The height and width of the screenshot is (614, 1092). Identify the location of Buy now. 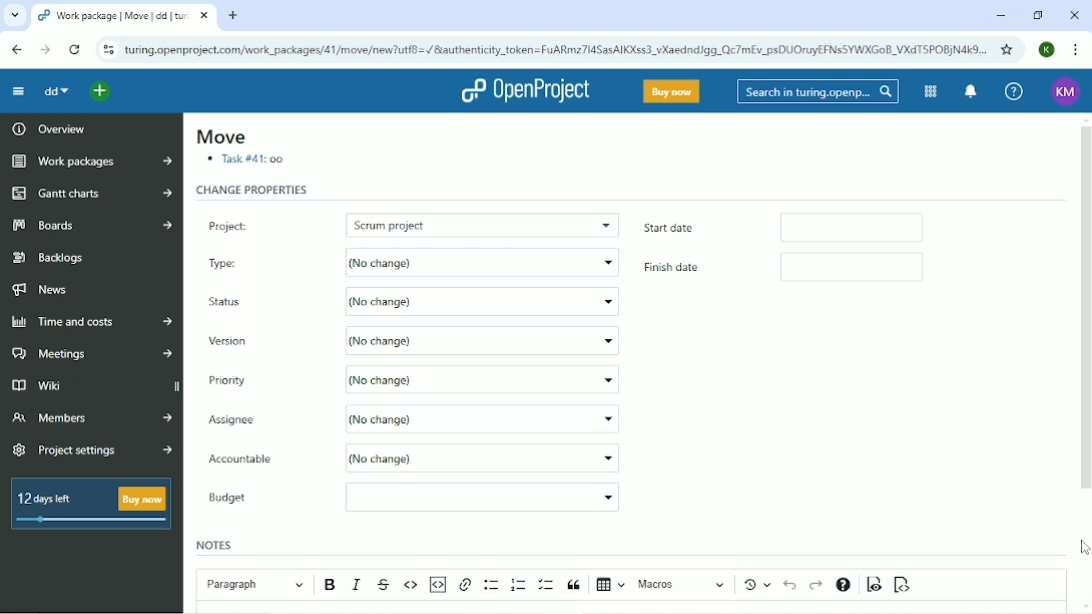
(672, 91).